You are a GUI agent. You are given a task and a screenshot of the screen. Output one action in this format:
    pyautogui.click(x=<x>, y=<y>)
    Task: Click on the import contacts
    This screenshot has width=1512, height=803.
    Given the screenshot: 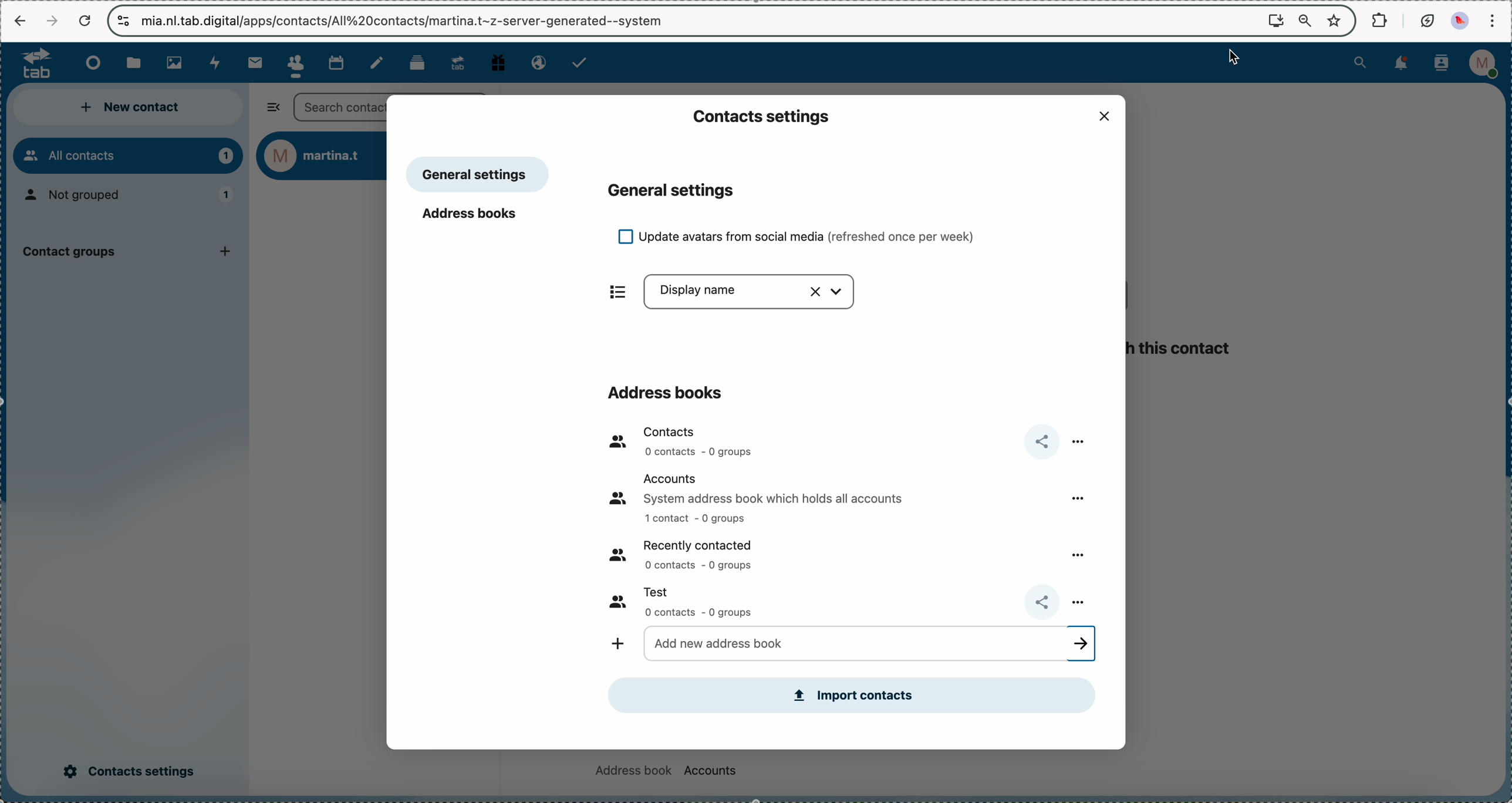 What is the action you would take?
    pyautogui.click(x=850, y=694)
    